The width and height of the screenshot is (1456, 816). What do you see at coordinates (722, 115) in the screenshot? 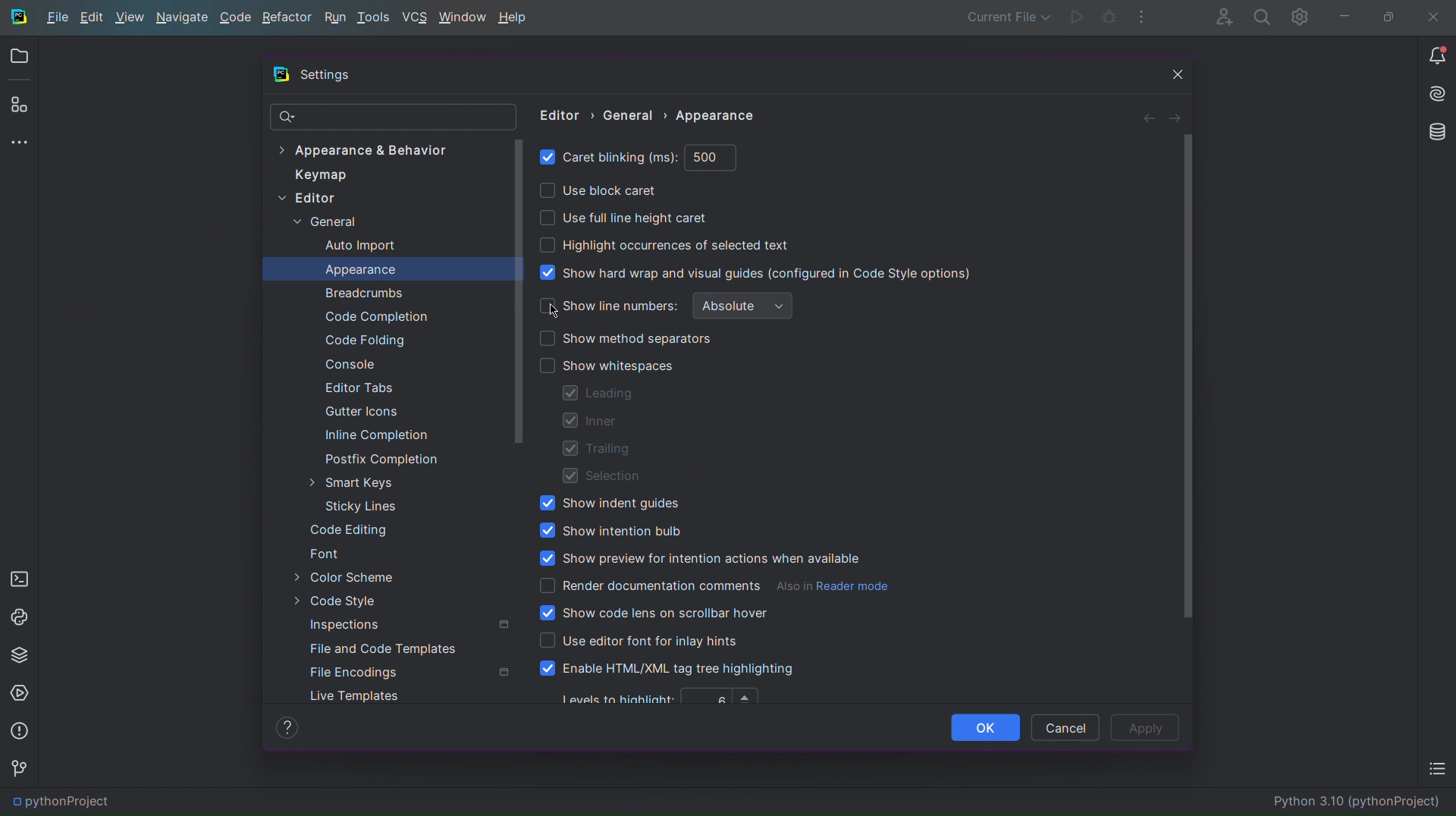
I see `Appearance` at bounding box center [722, 115].